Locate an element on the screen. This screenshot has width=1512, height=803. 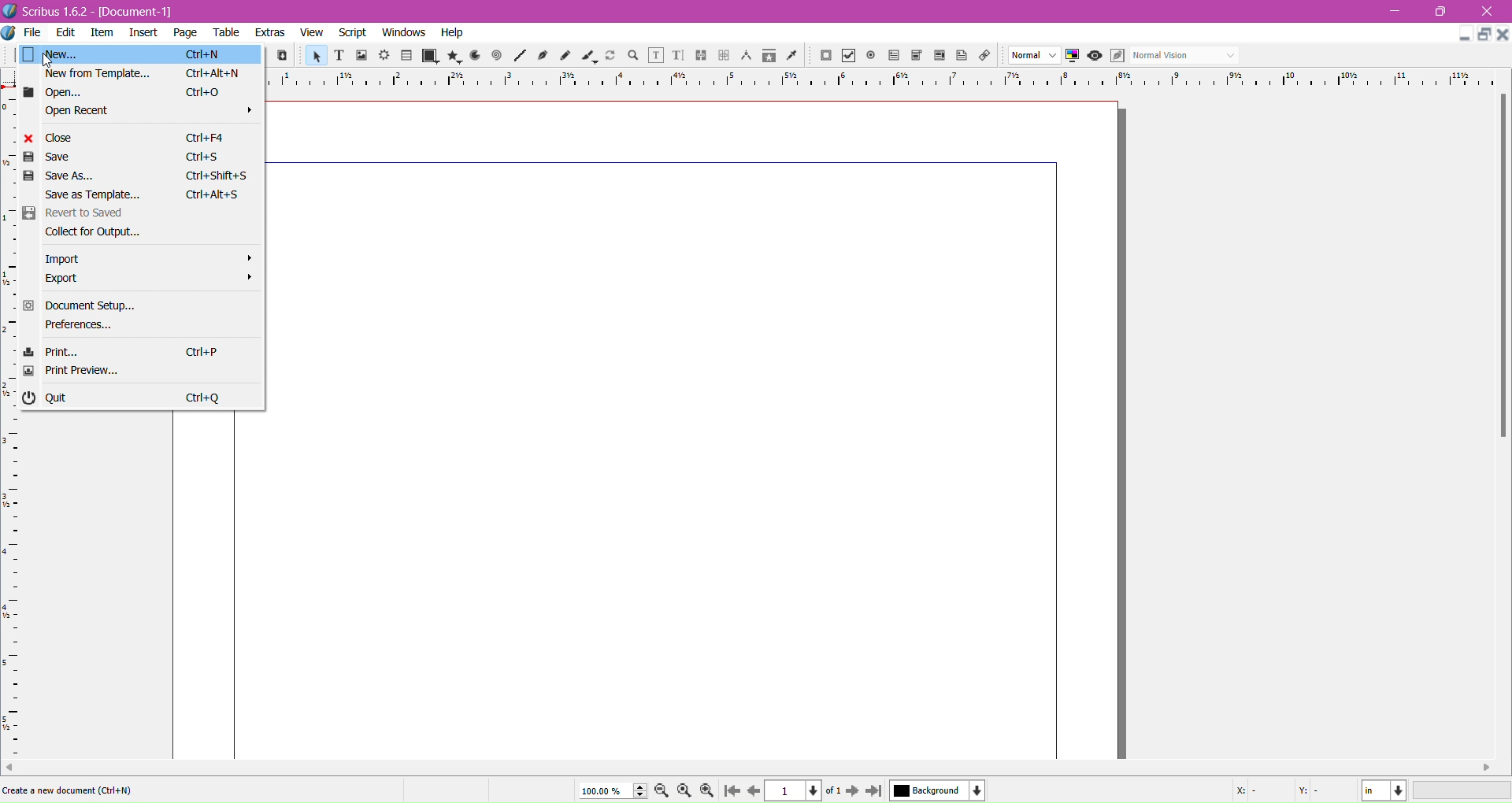
normal is located at coordinates (1173, 54).